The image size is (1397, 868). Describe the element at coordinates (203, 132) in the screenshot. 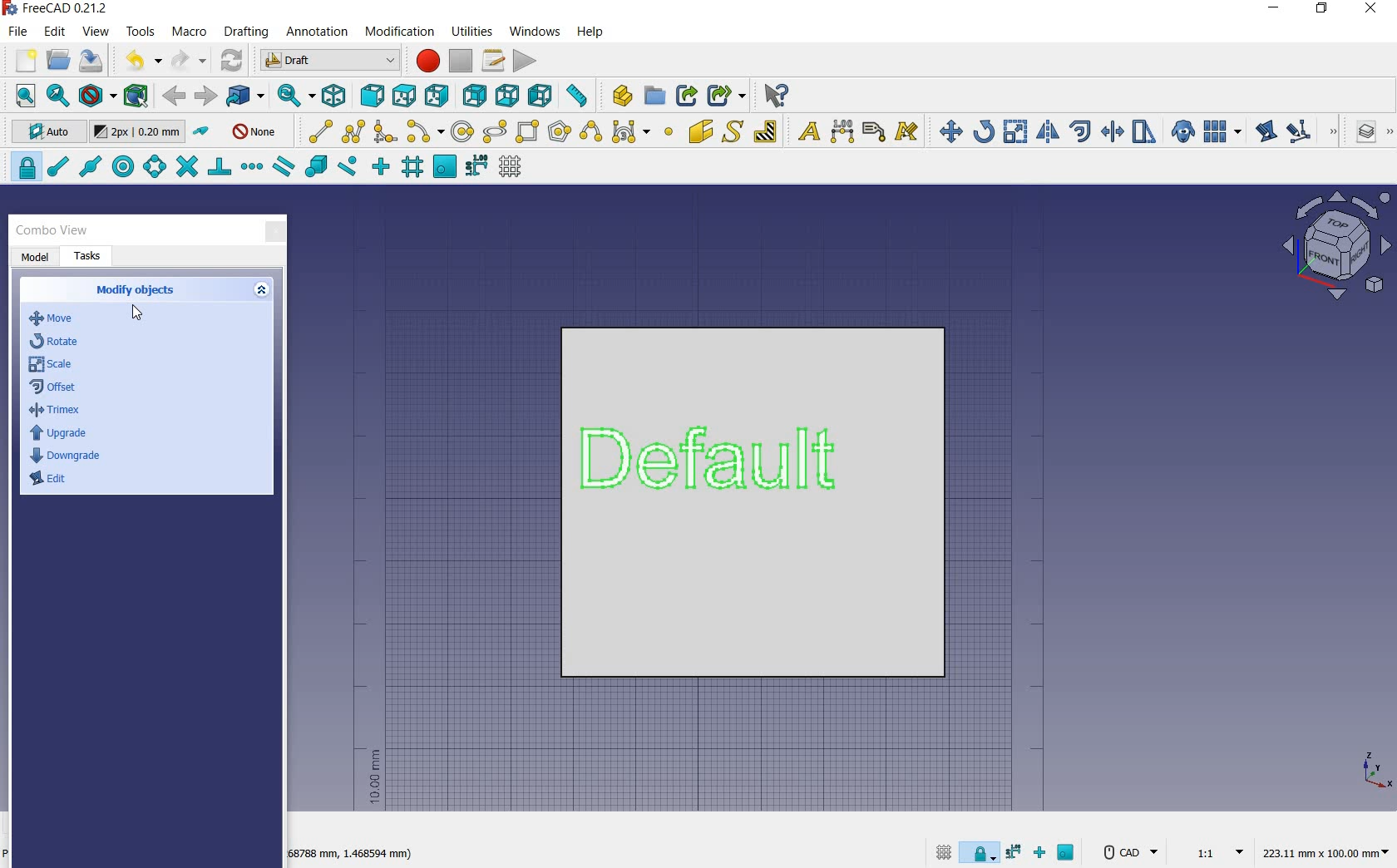

I see `toggle construction mode` at that location.